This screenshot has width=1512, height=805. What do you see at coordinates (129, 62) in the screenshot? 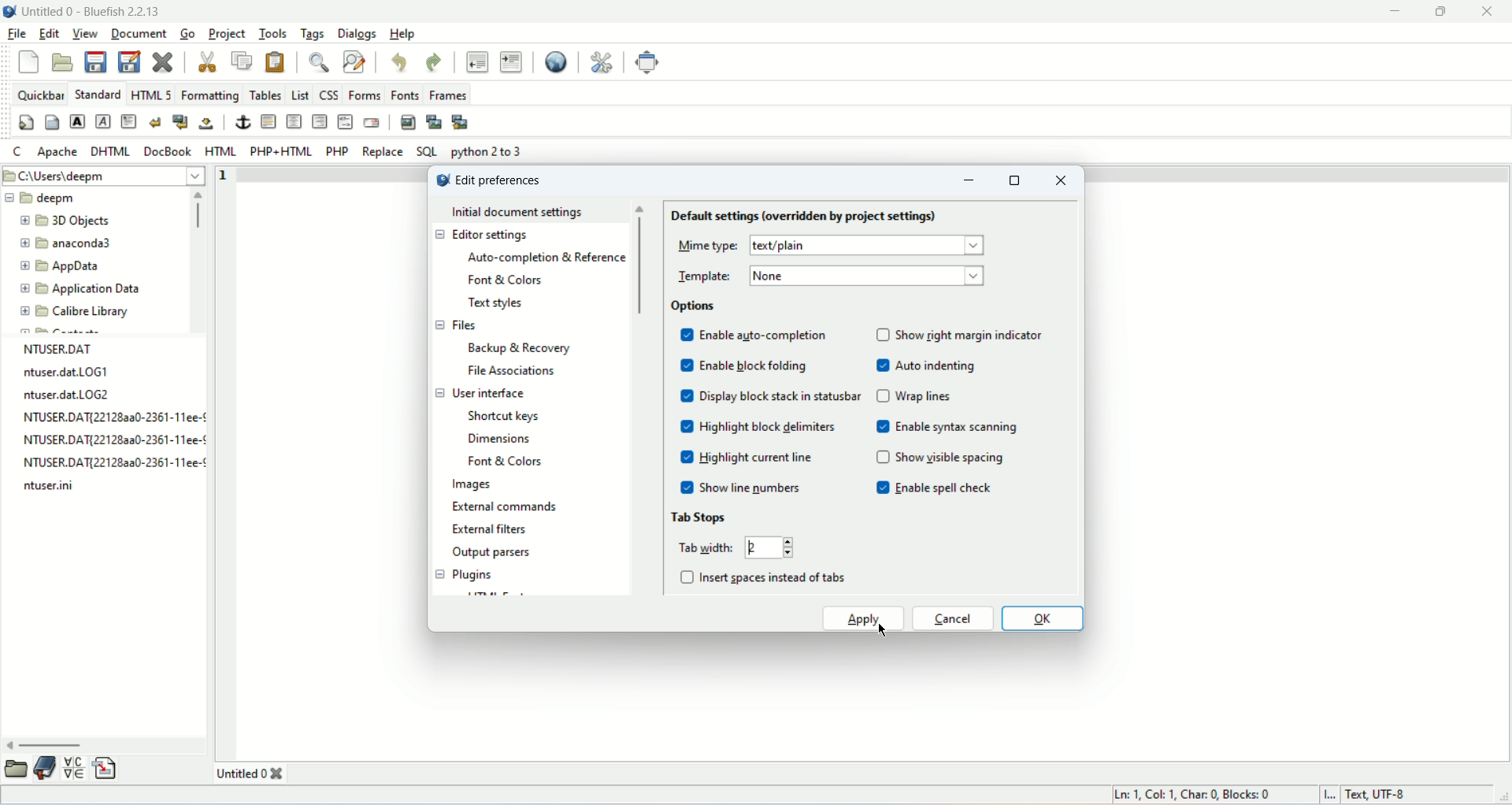
I see `save as` at bounding box center [129, 62].